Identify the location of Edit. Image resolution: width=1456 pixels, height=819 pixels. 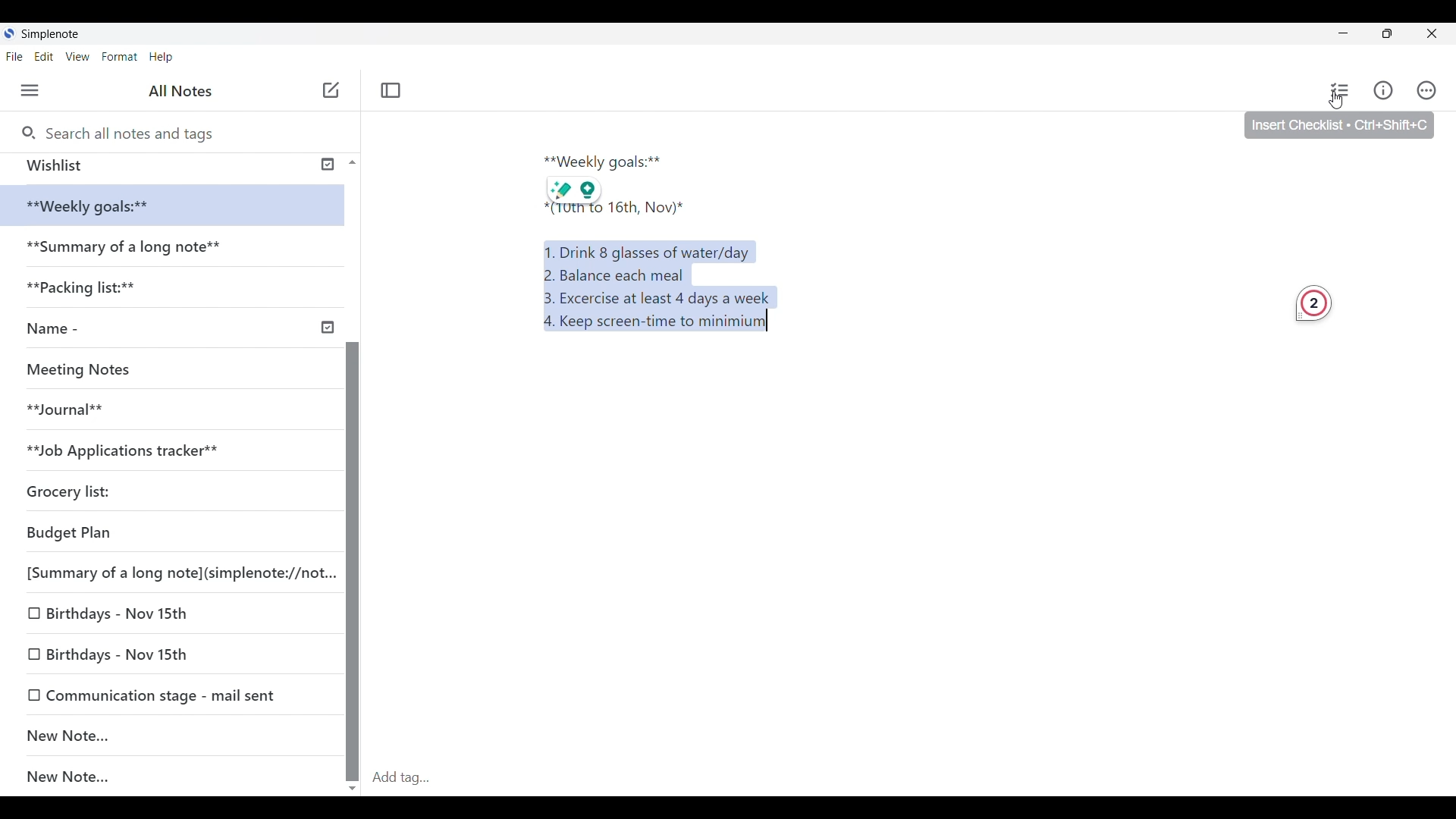
(49, 58).